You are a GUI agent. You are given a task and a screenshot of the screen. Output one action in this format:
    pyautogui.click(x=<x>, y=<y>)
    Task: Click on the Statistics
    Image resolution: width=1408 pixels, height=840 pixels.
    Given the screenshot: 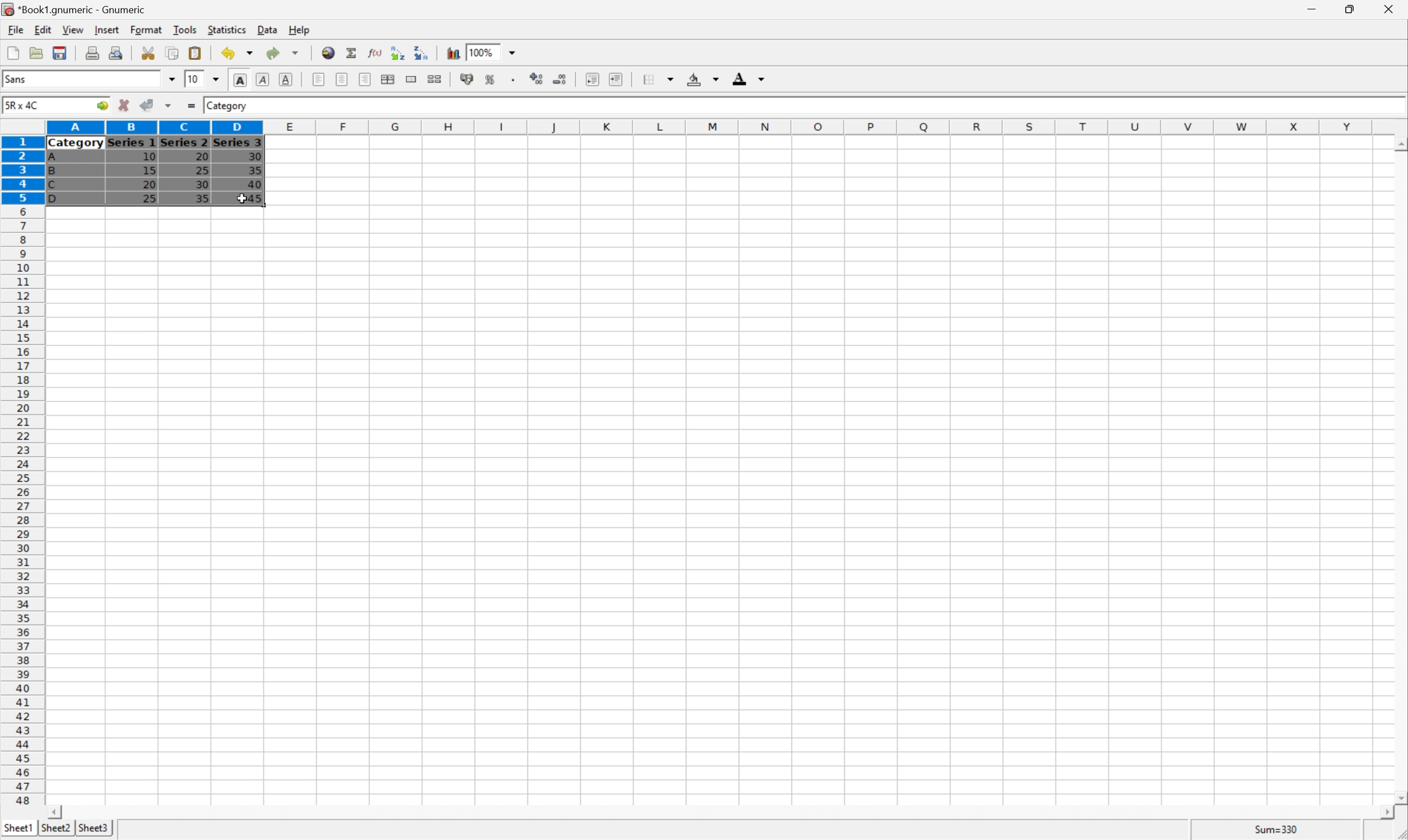 What is the action you would take?
    pyautogui.click(x=228, y=30)
    